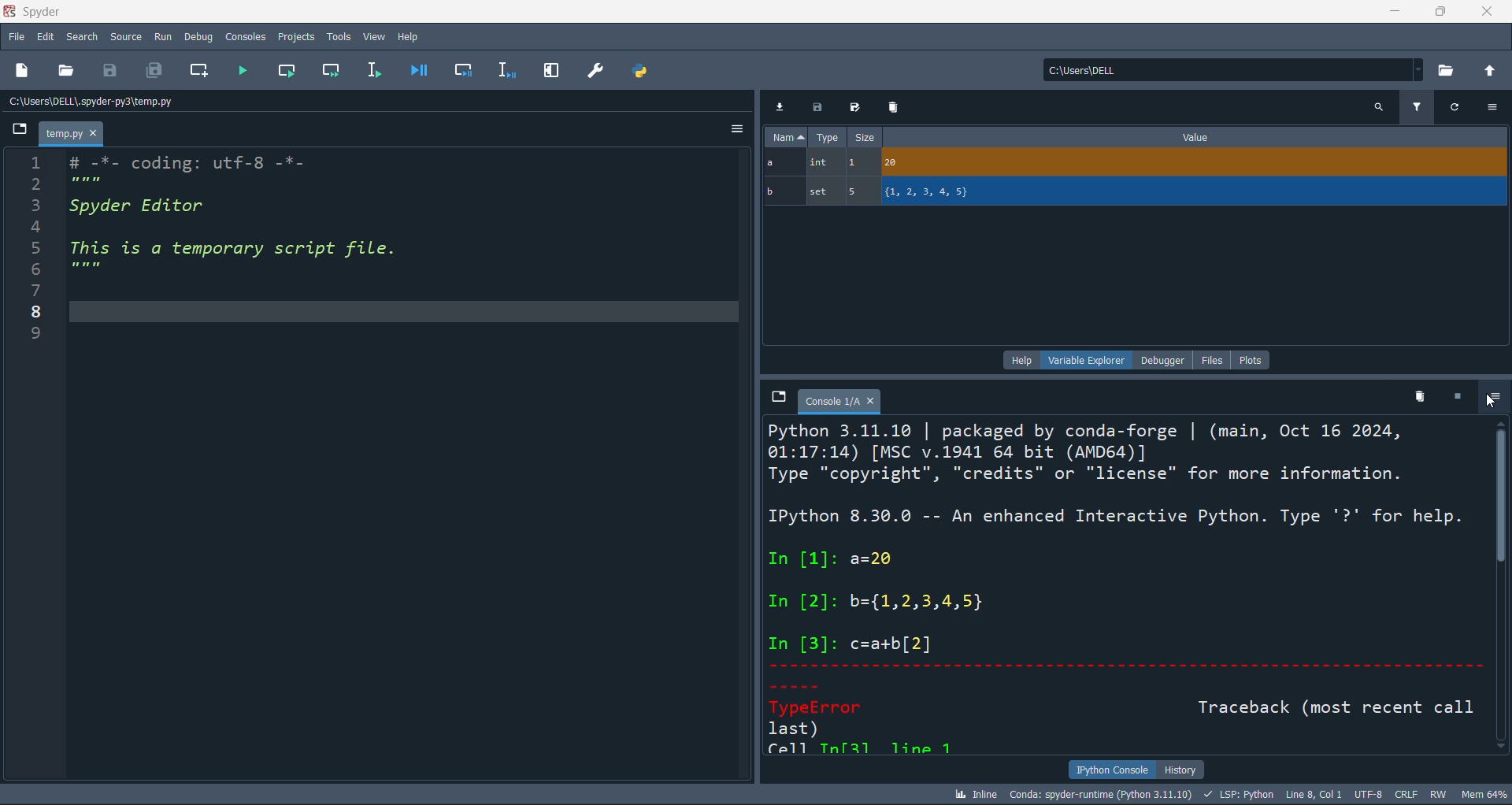 This screenshot has width=1512, height=805. What do you see at coordinates (455, 70) in the screenshot?
I see `debug cell` at bounding box center [455, 70].